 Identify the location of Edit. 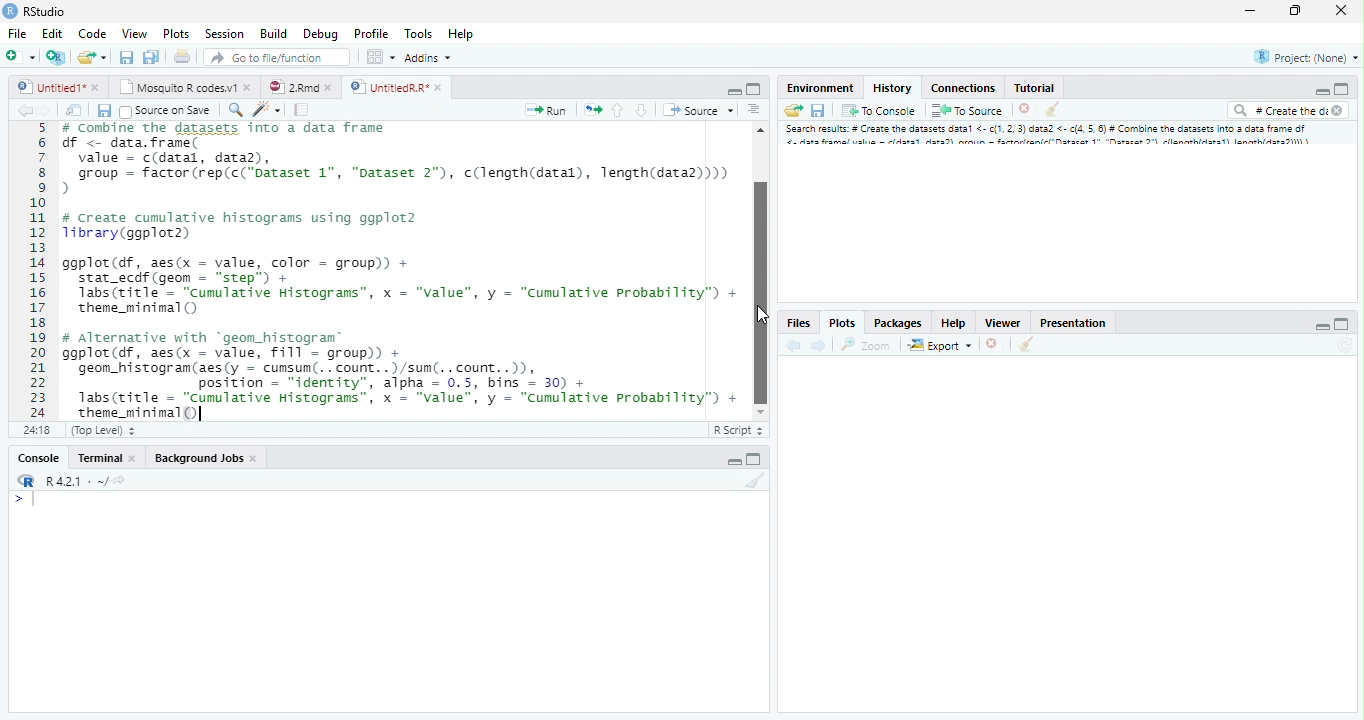
(53, 35).